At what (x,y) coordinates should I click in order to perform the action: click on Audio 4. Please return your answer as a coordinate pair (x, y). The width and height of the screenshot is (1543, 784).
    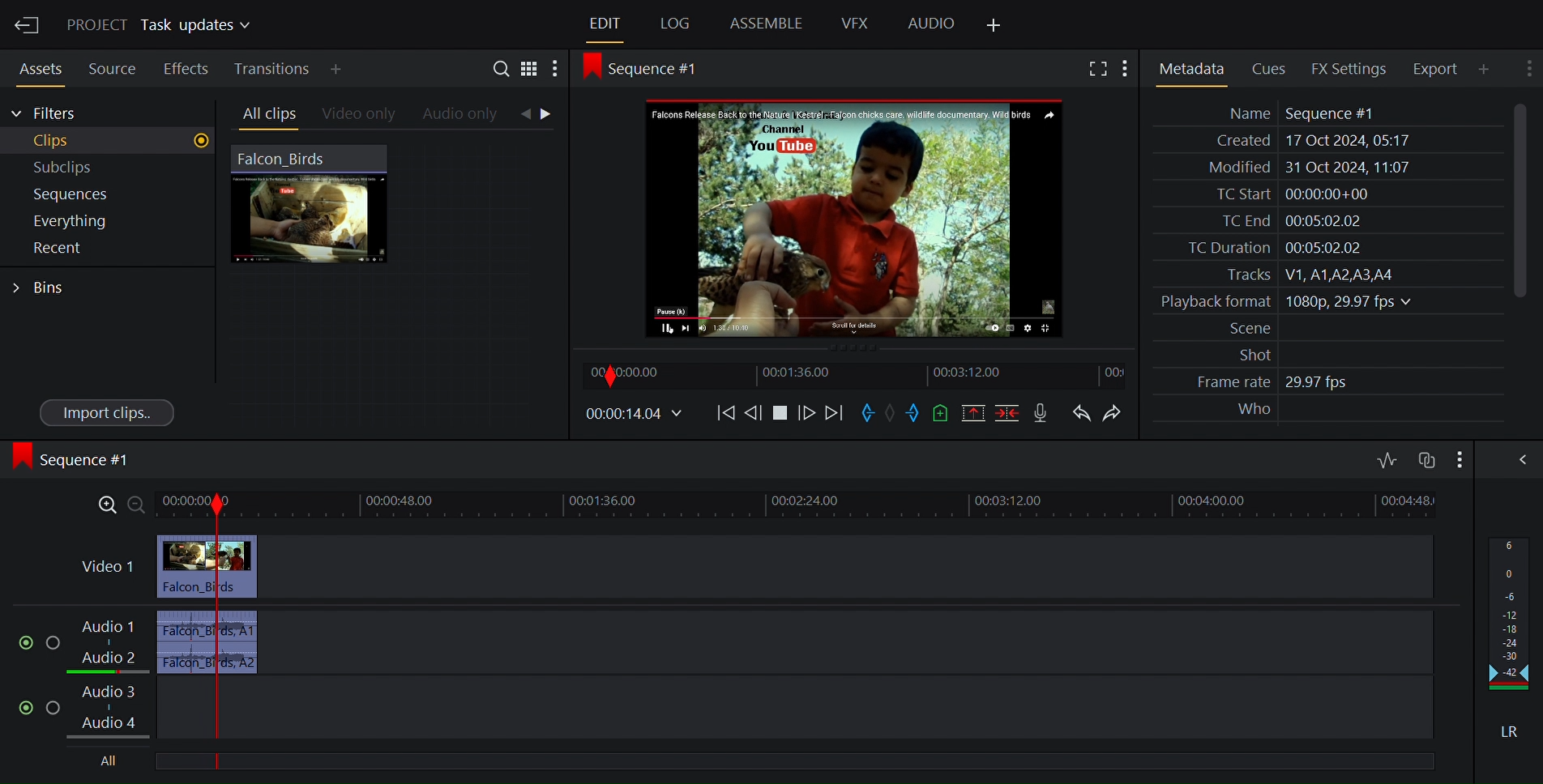
    Looking at the image, I should click on (113, 724).